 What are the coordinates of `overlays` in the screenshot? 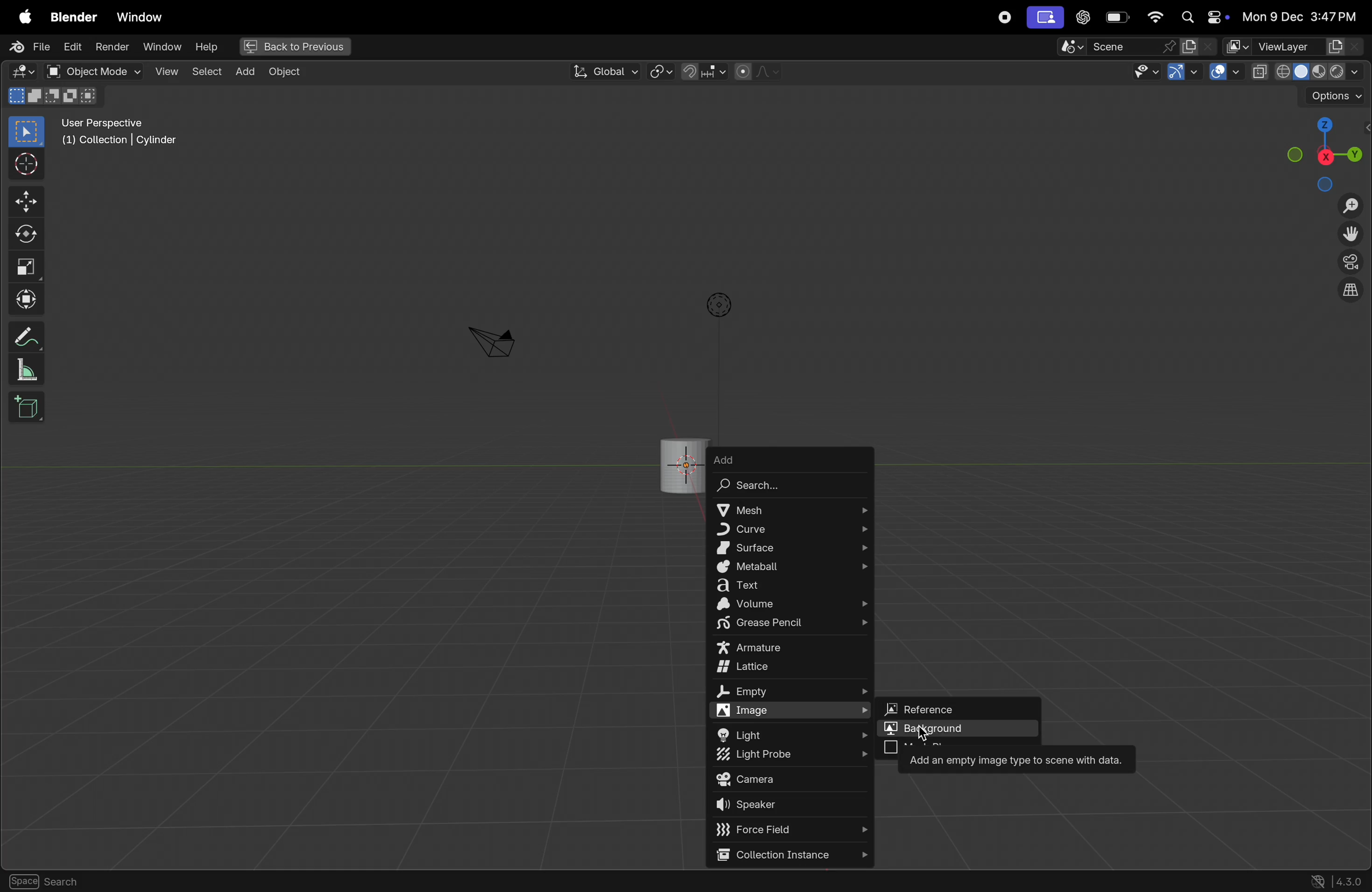 It's located at (1222, 72).